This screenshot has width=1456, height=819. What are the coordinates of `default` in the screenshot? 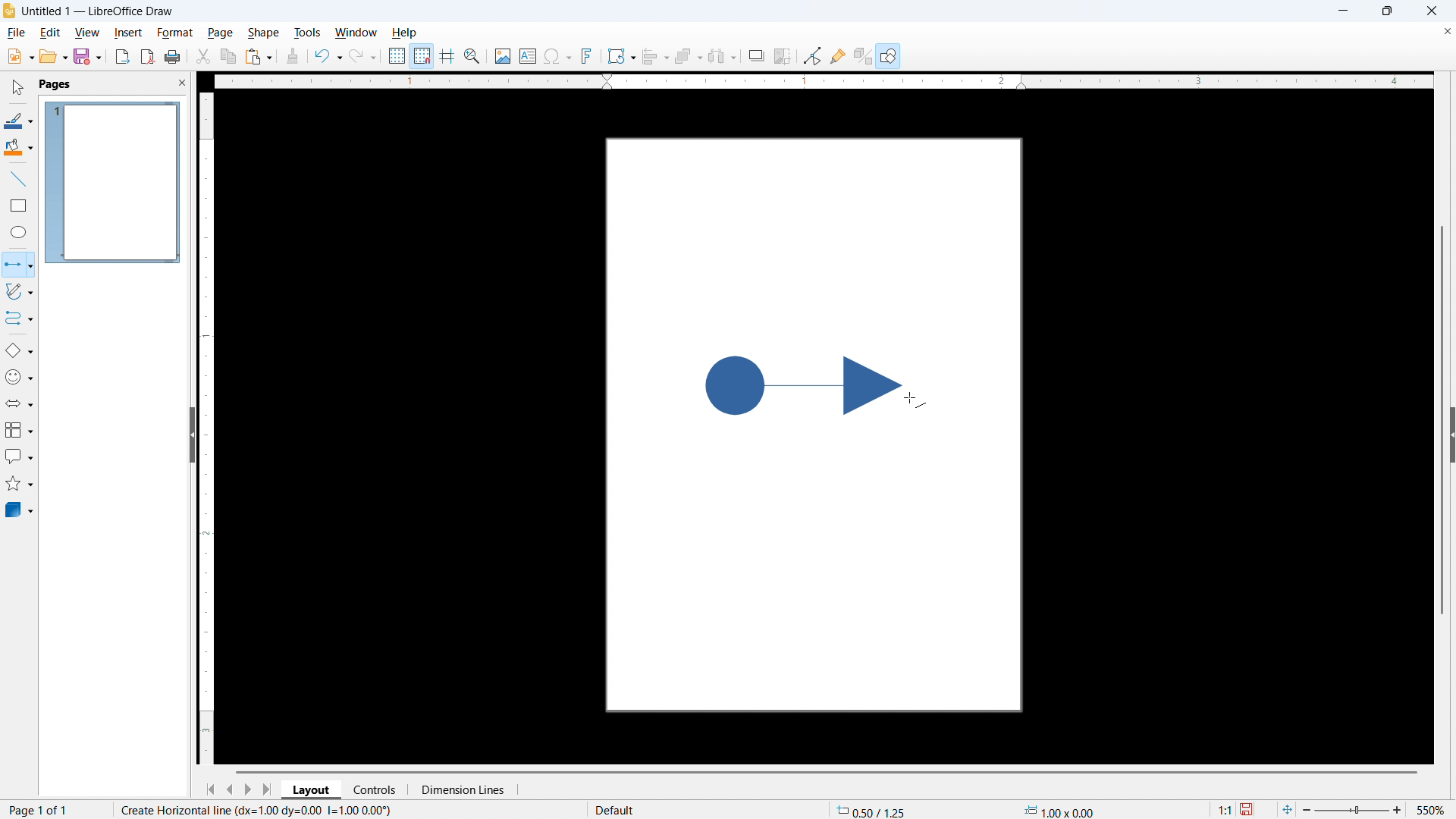 It's located at (616, 808).